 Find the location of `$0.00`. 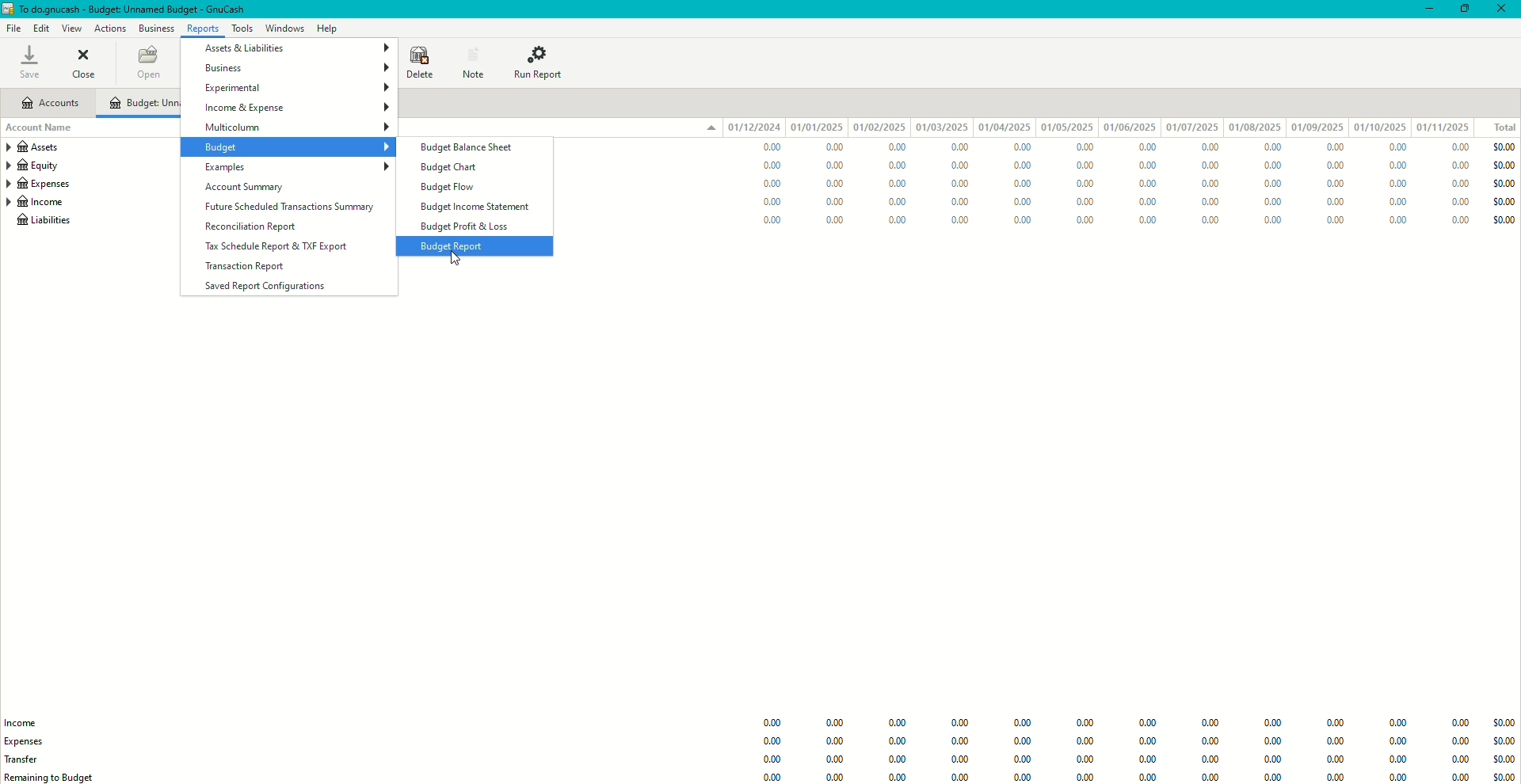

$0.00 is located at coordinates (1504, 147).